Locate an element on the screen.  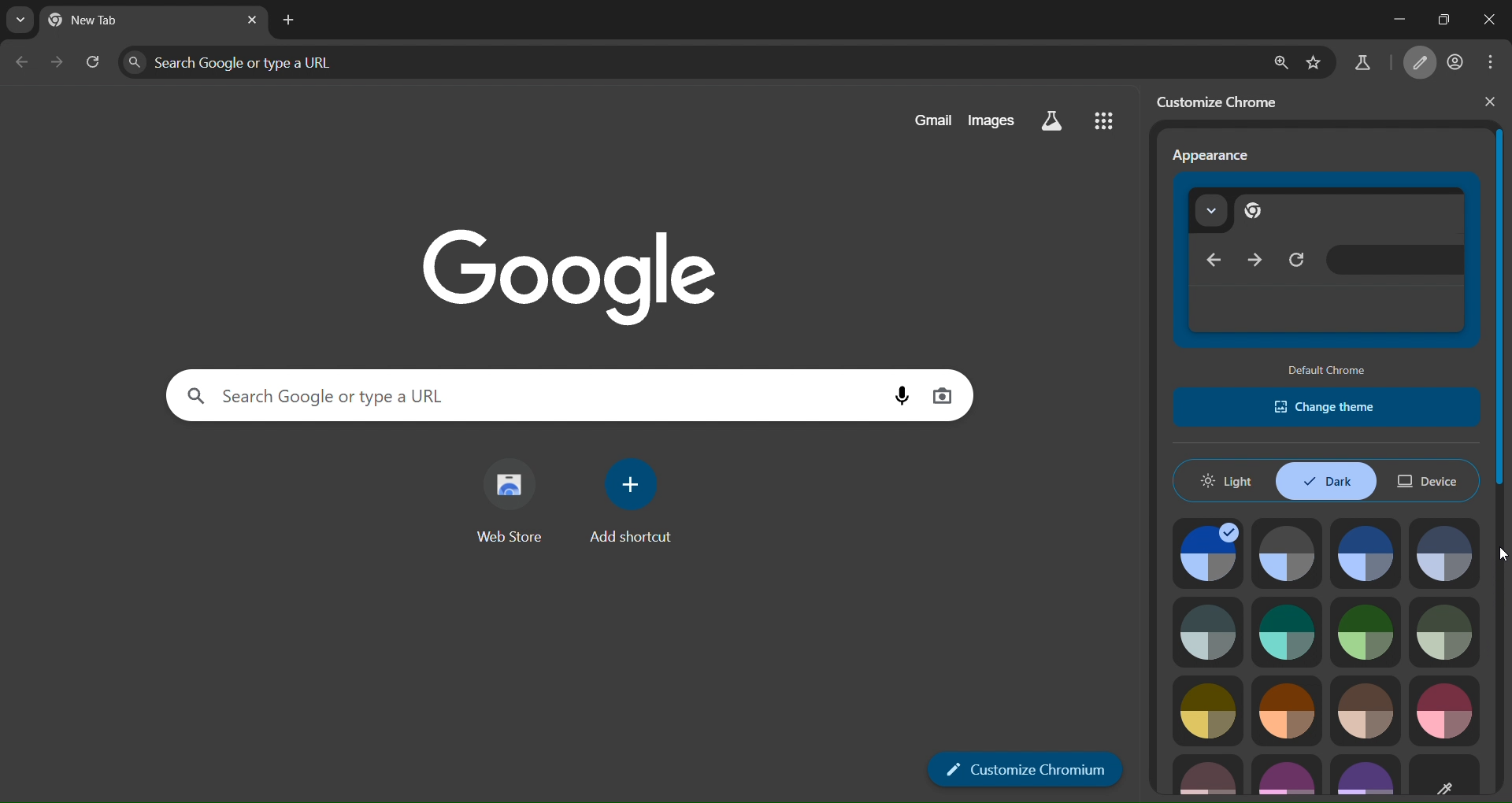
add shortcut is located at coordinates (634, 501).